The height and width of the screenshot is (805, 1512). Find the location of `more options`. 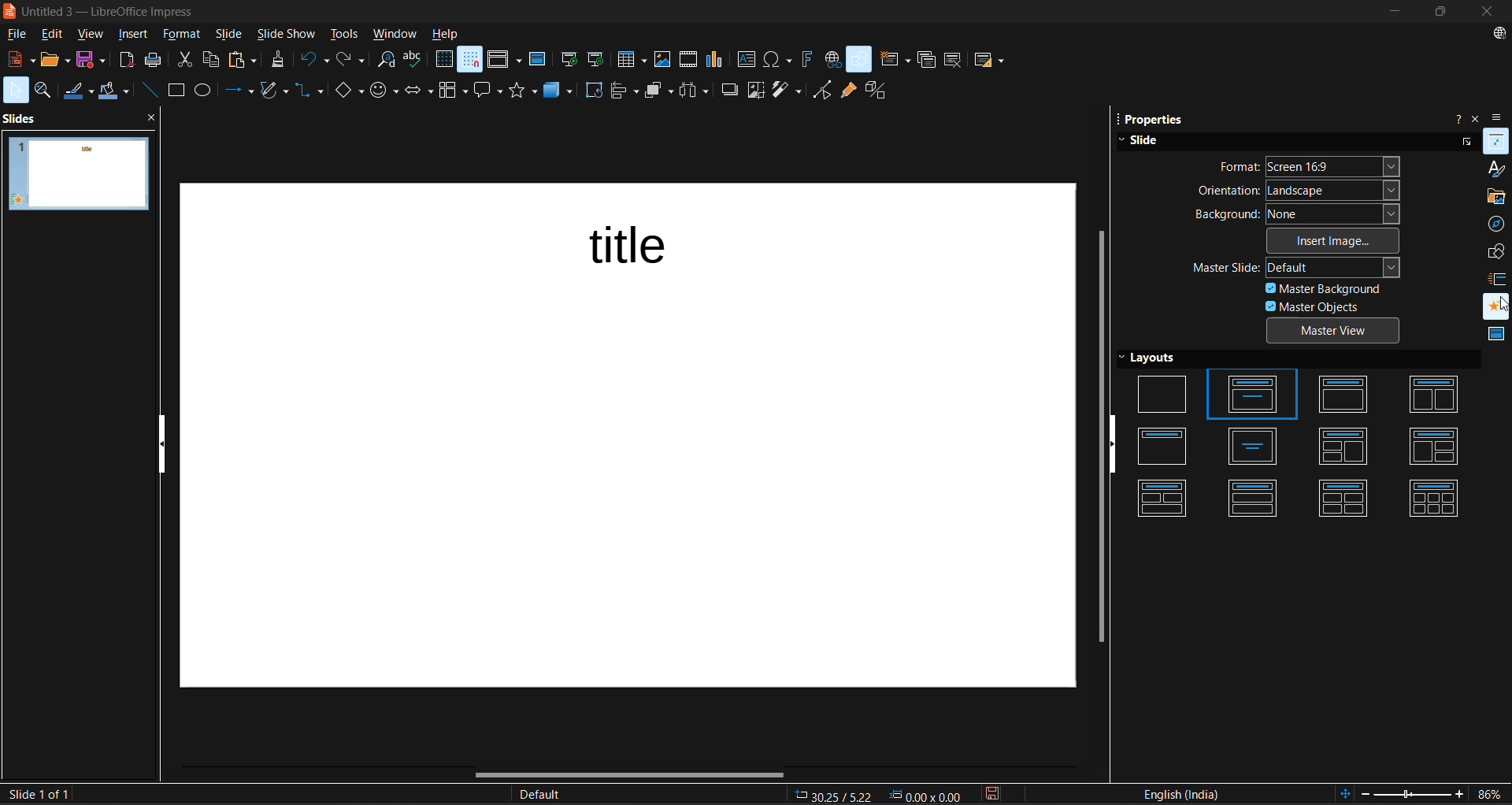

more options is located at coordinates (1465, 142).